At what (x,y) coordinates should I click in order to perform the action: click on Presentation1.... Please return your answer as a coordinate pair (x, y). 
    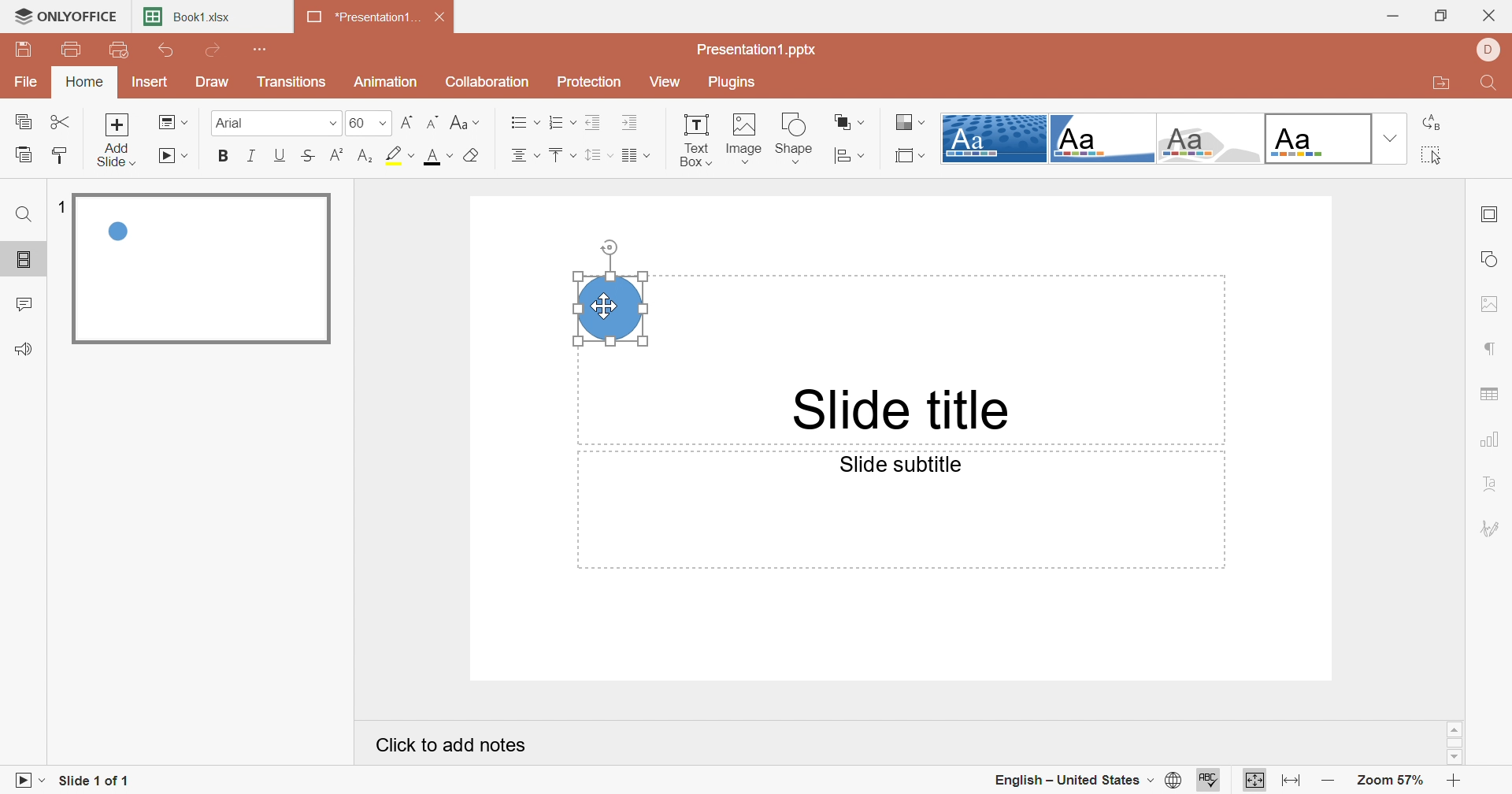
    Looking at the image, I should click on (363, 17).